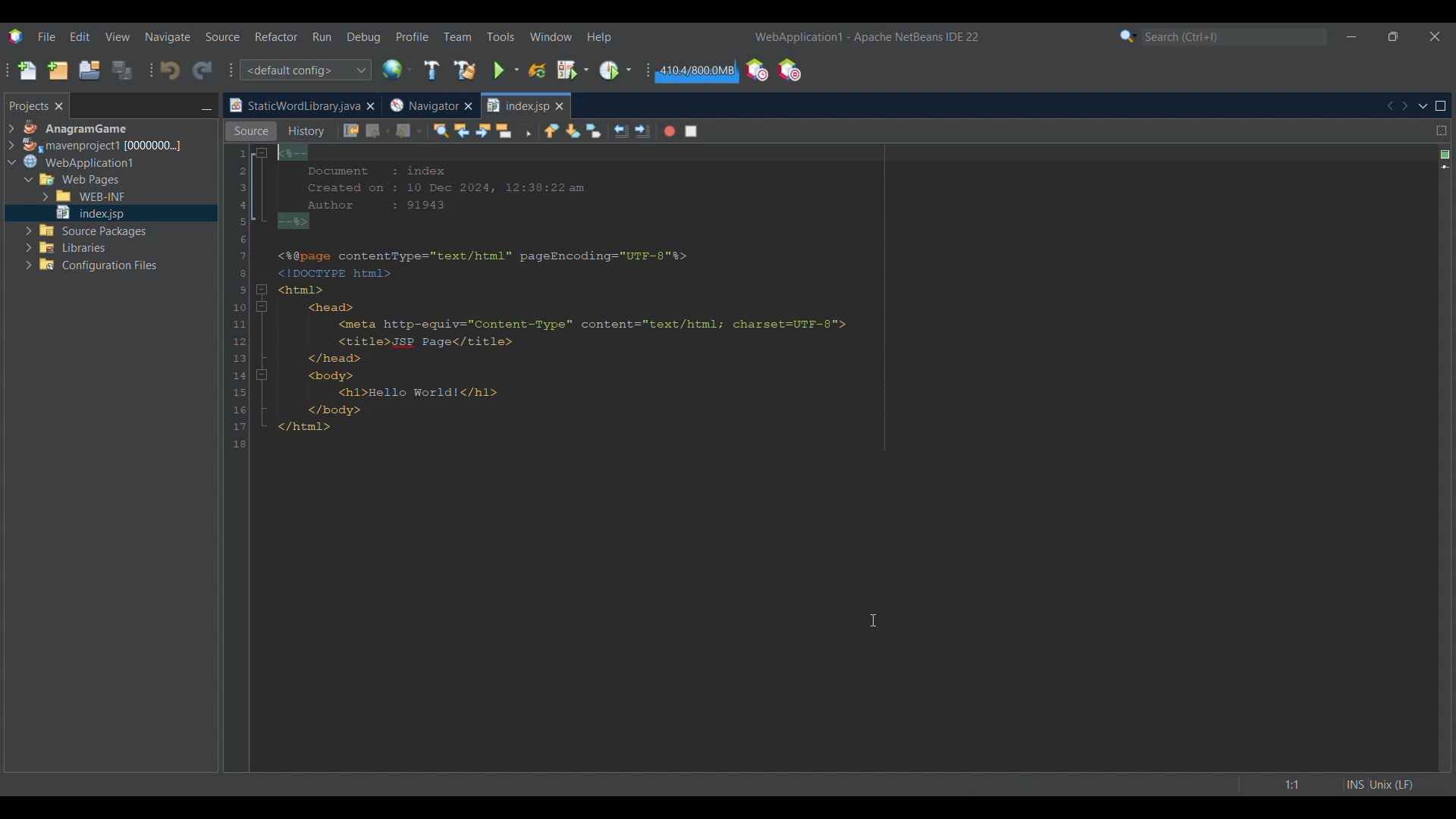 The image size is (1456, 819). Describe the element at coordinates (305, 70) in the screenshot. I see `Configuration options` at that location.